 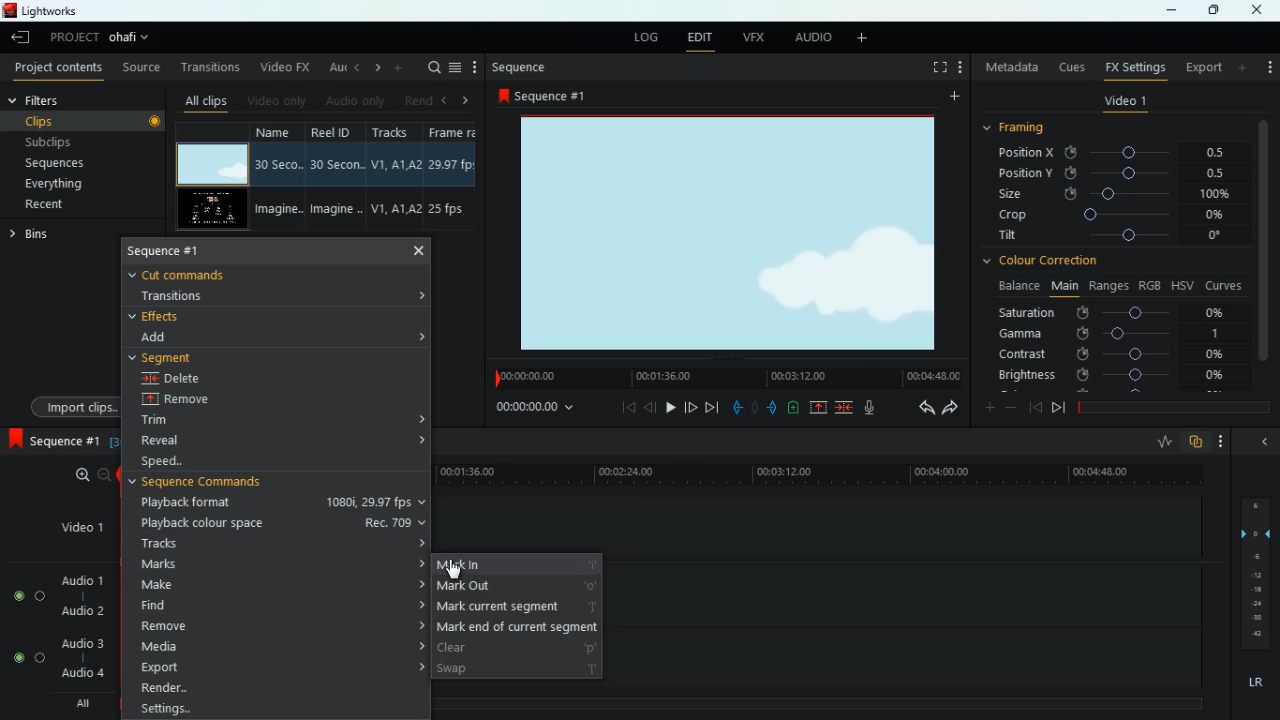 What do you see at coordinates (414, 100) in the screenshot?
I see `rend` at bounding box center [414, 100].